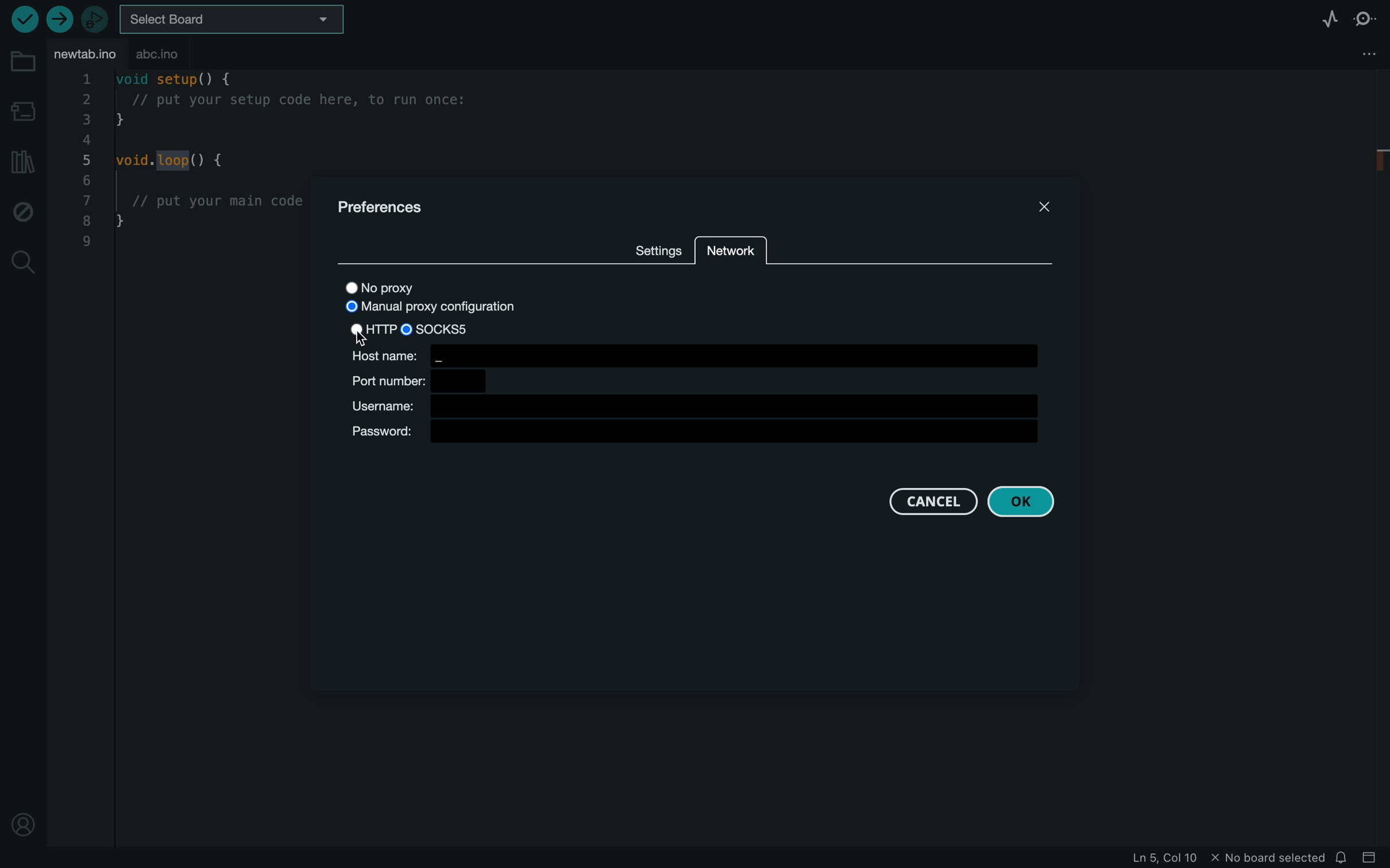 The height and width of the screenshot is (868, 1390). What do you see at coordinates (1171, 858) in the screenshot?
I see `file information` at bounding box center [1171, 858].